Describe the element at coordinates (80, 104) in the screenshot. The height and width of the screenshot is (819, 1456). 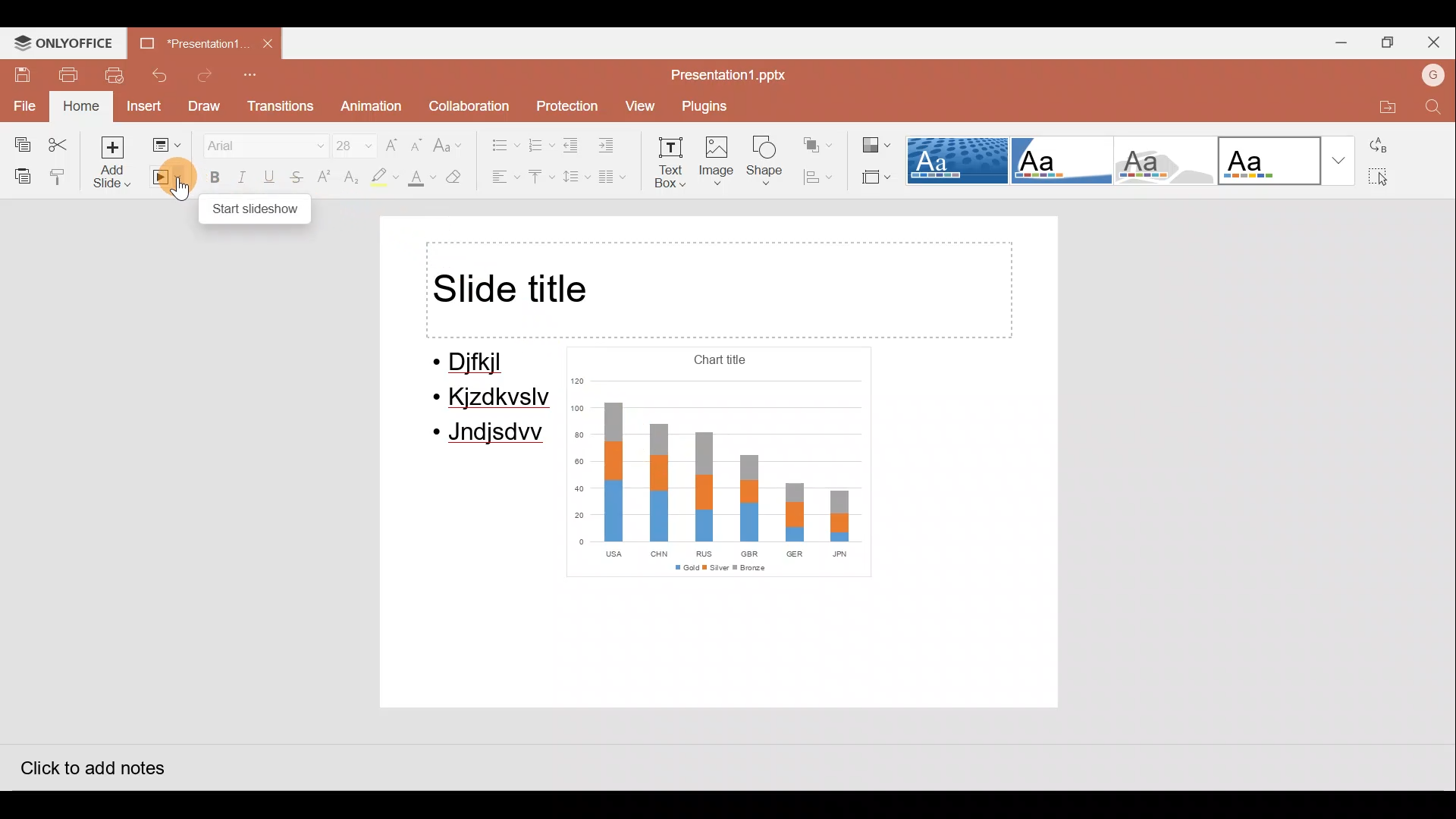
I see `Home` at that location.